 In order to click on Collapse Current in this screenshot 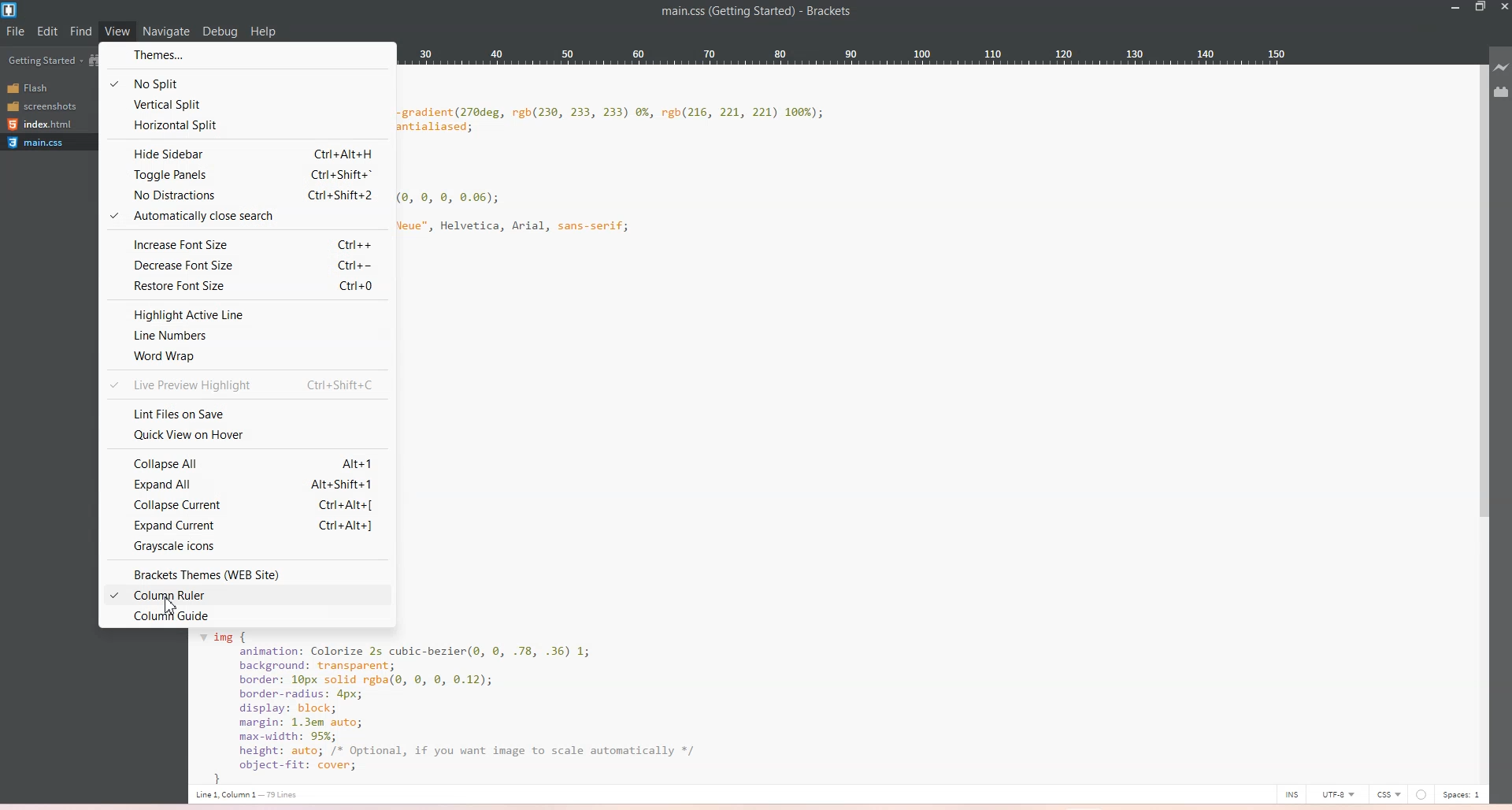, I will do `click(247, 503)`.